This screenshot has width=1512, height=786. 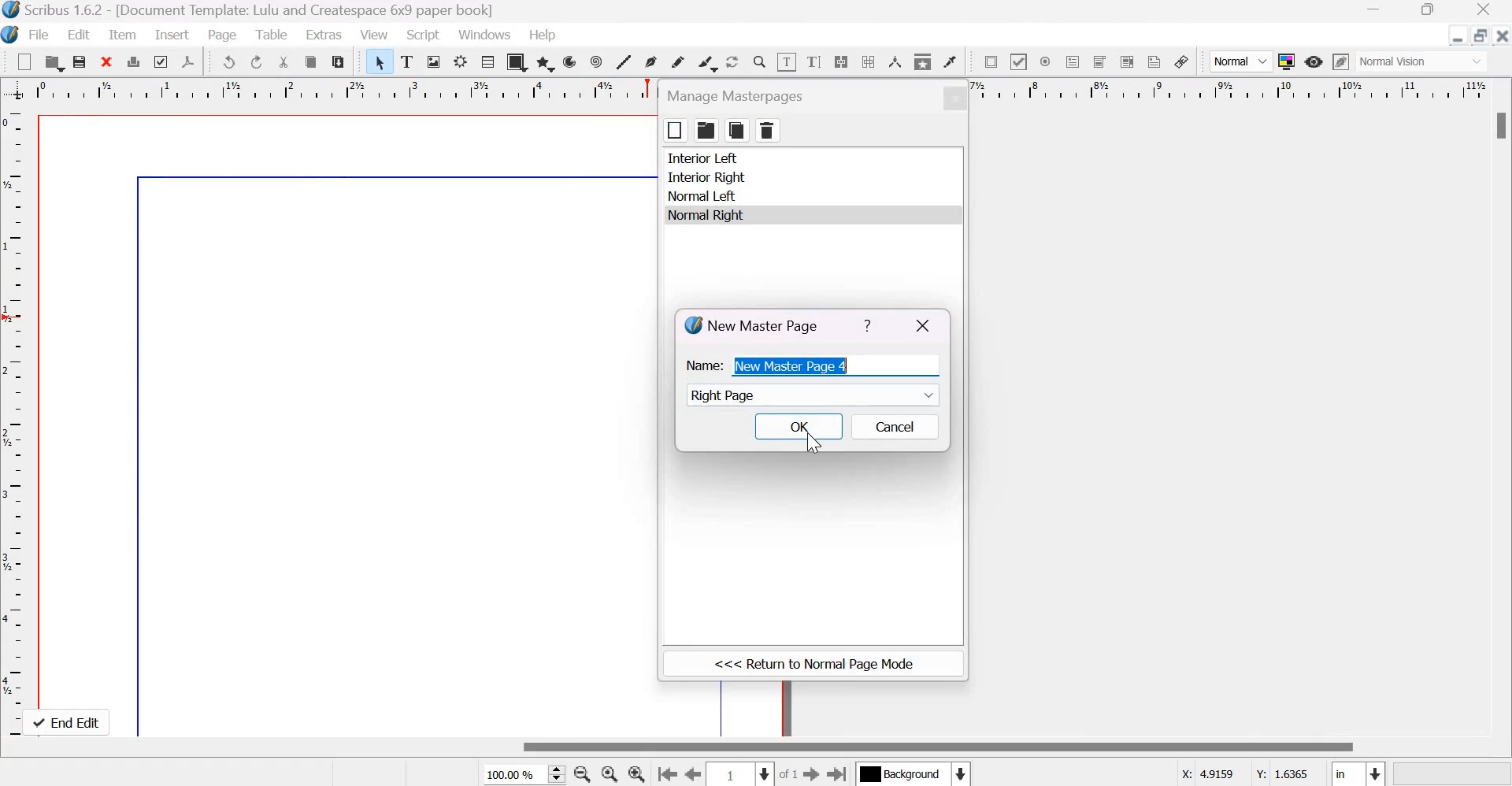 What do you see at coordinates (814, 62) in the screenshot?
I see `edit text with story editor` at bounding box center [814, 62].